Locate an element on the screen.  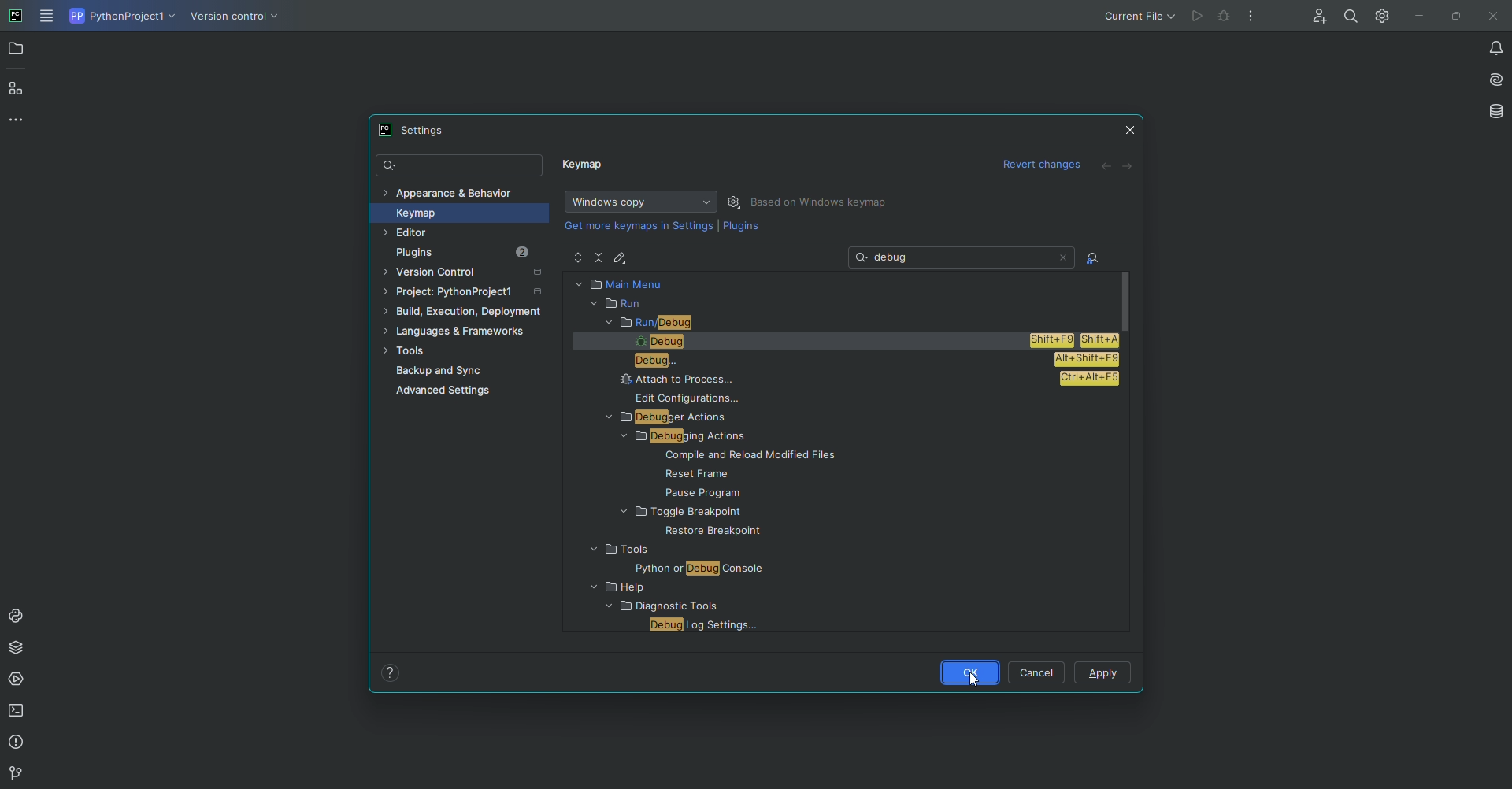
Collapse is located at coordinates (600, 257).